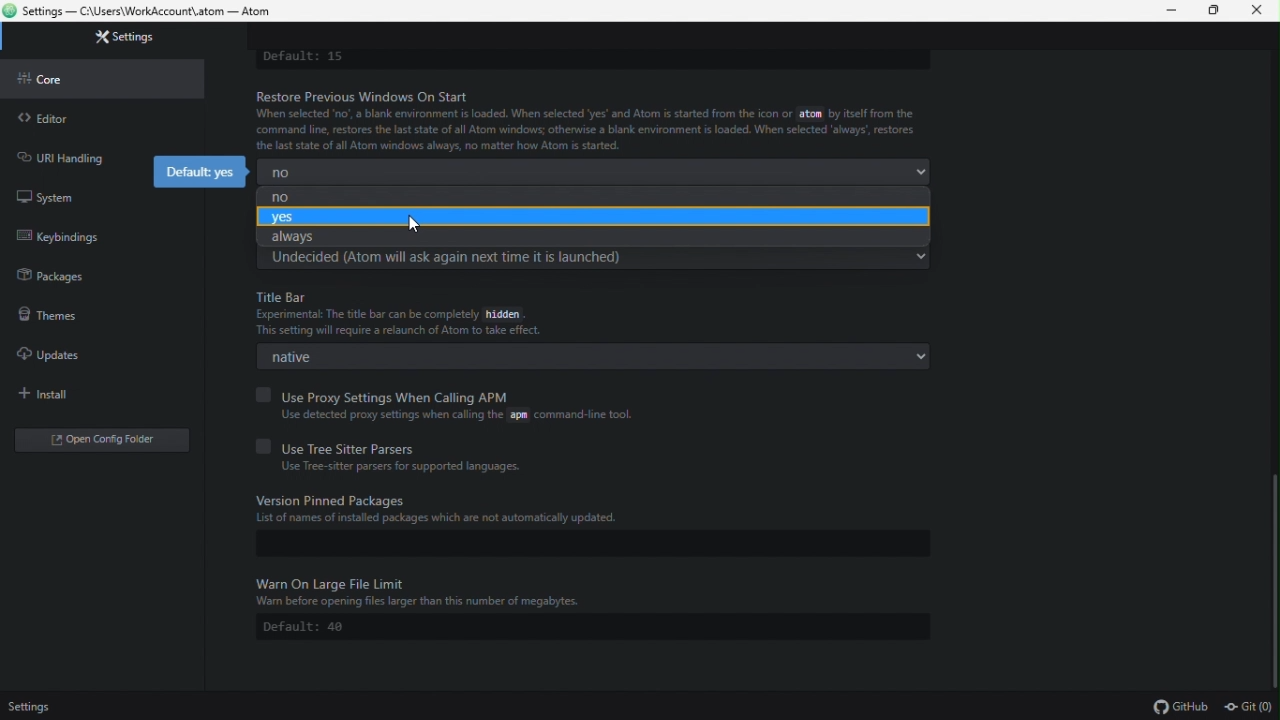  Describe the element at coordinates (79, 393) in the screenshot. I see `Install` at that location.